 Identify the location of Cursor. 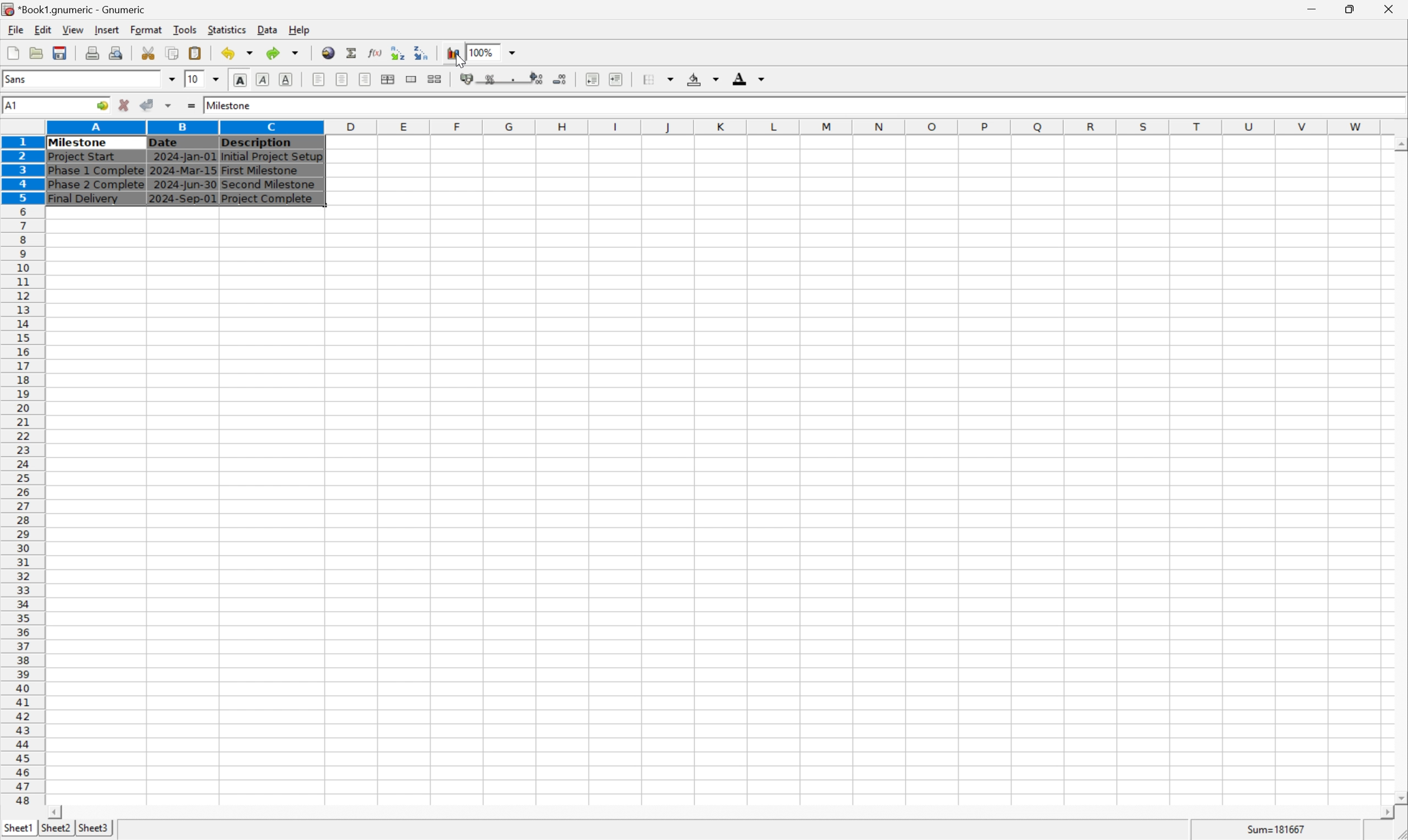
(460, 61).